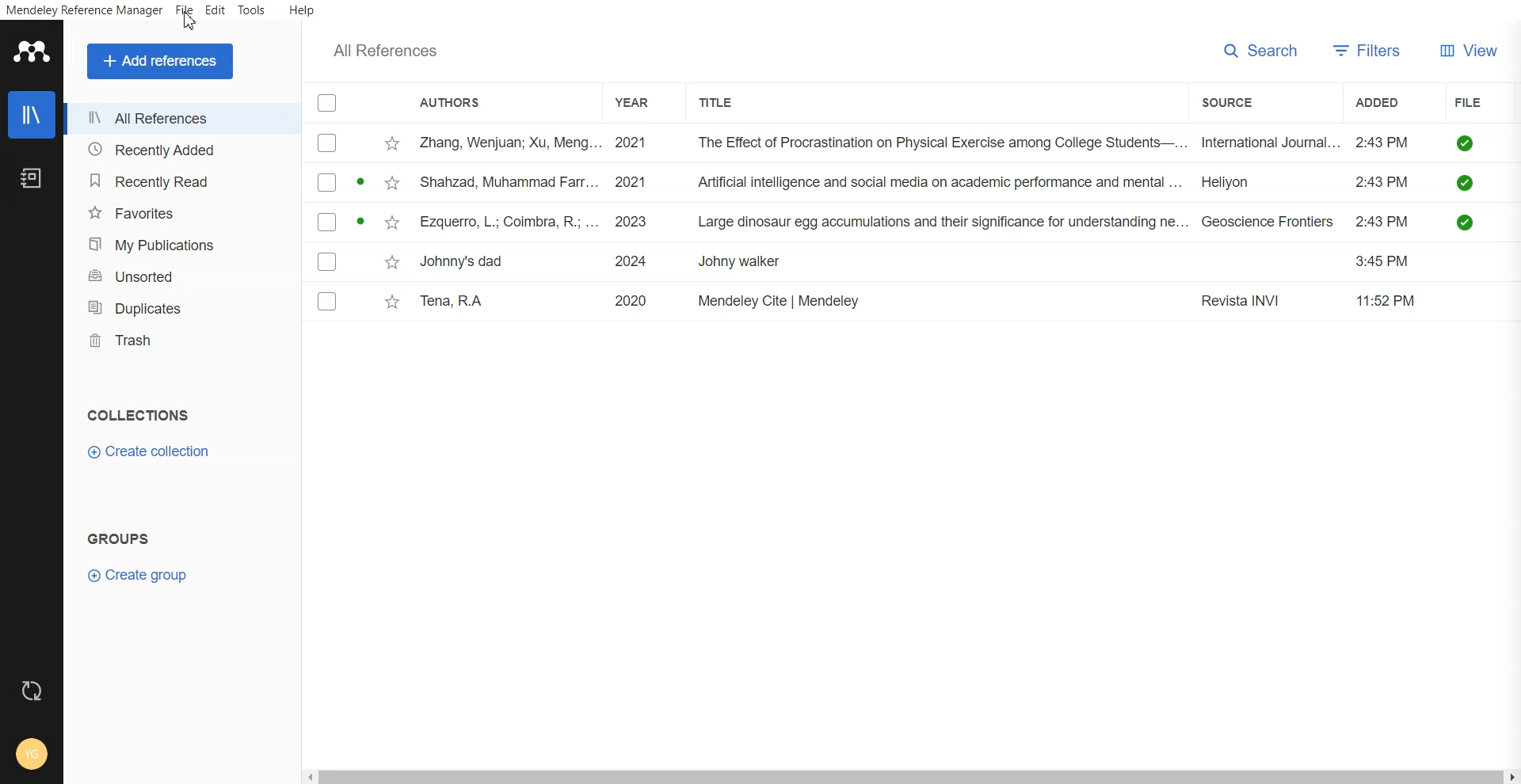  What do you see at coordinates (137, 575) in the screenshot?
I see `Create group` at bounding box center [137, 575].